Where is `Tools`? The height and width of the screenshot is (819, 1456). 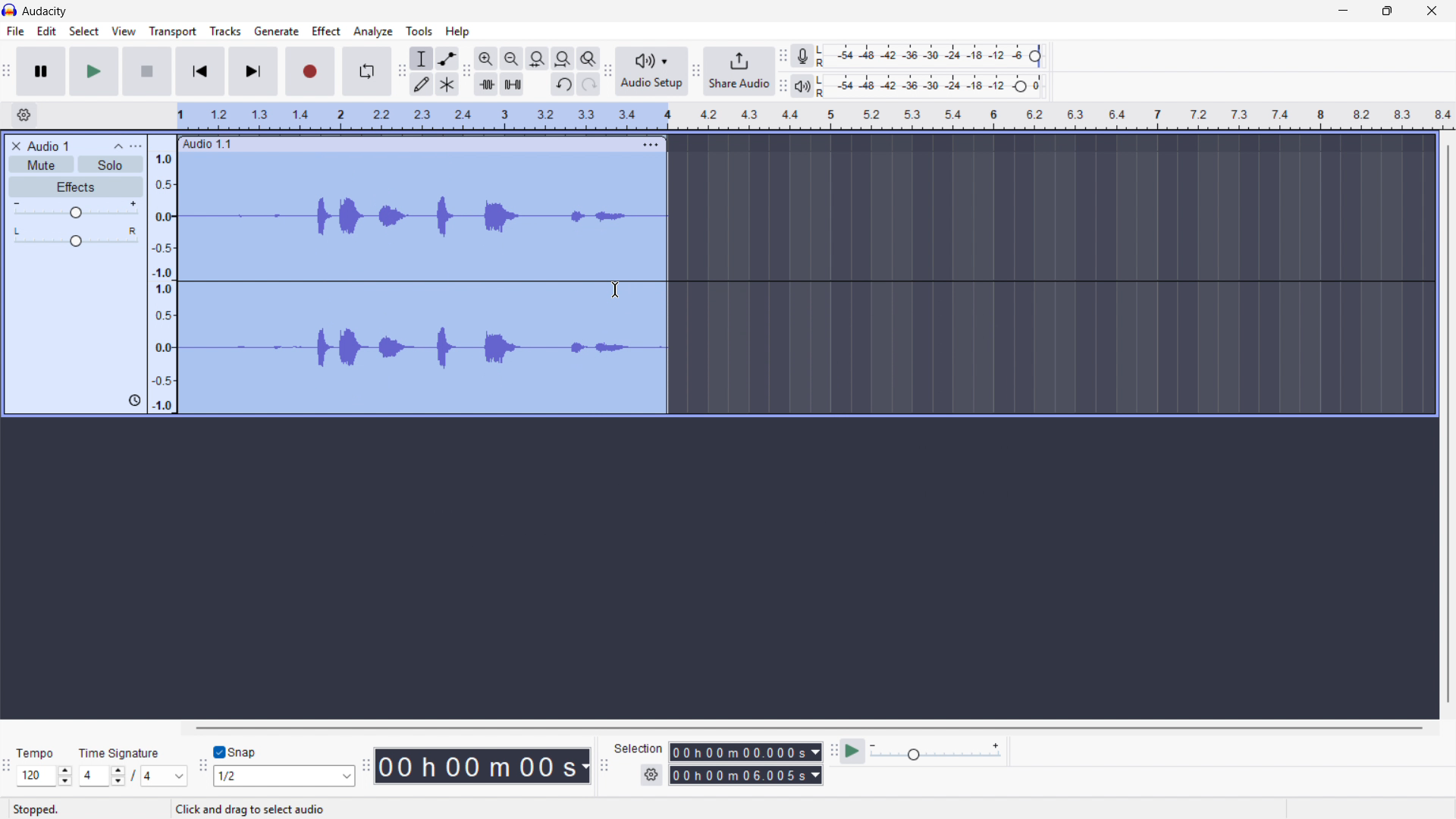
Tools is located at coordinates (419, 31).